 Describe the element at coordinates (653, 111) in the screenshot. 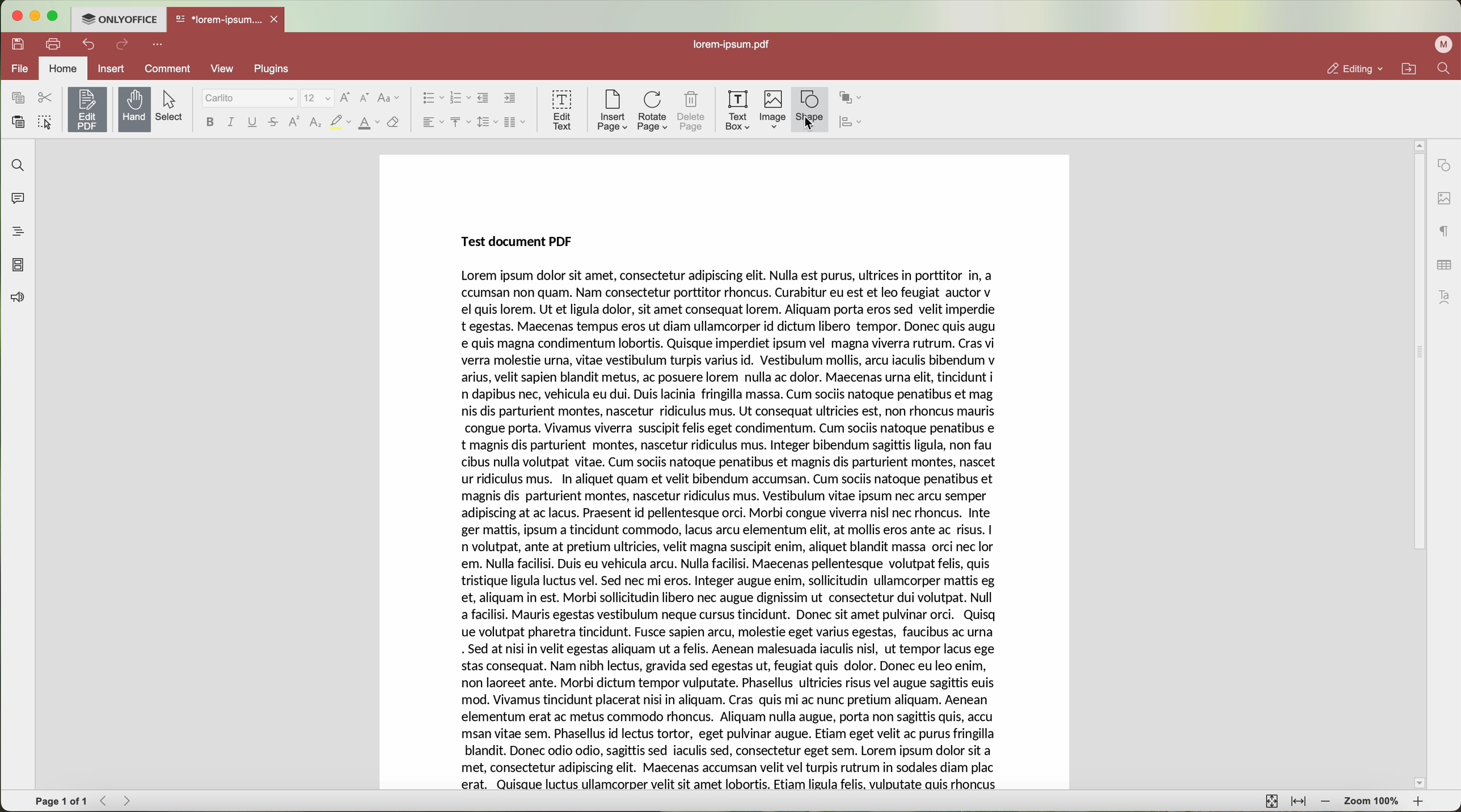

I see `rotate page` at that location.